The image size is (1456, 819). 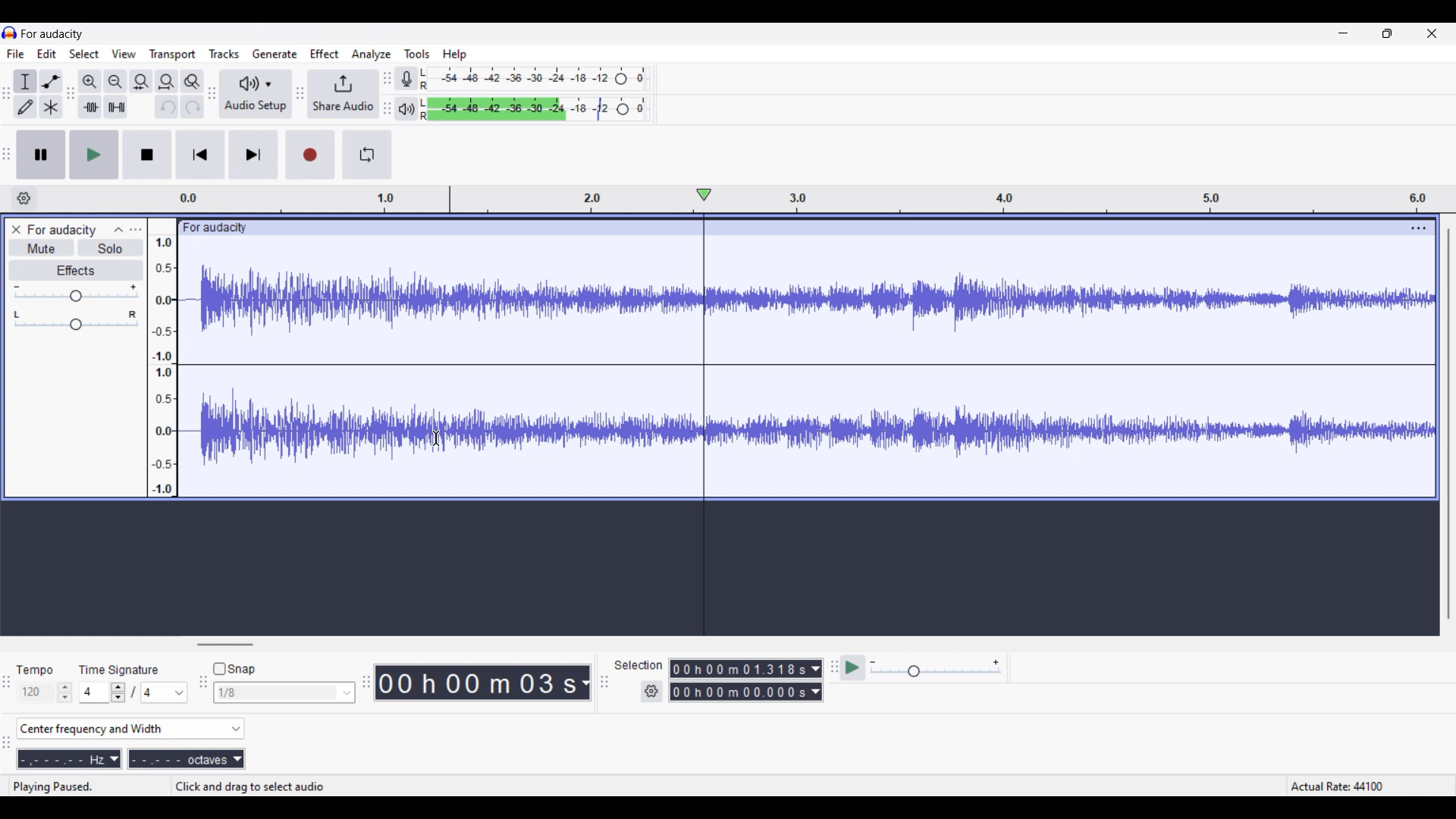 What do you see at coordinates (312, 154) in the screenshot?
I see `Record/Record new track` at bounding box center [312, 154].